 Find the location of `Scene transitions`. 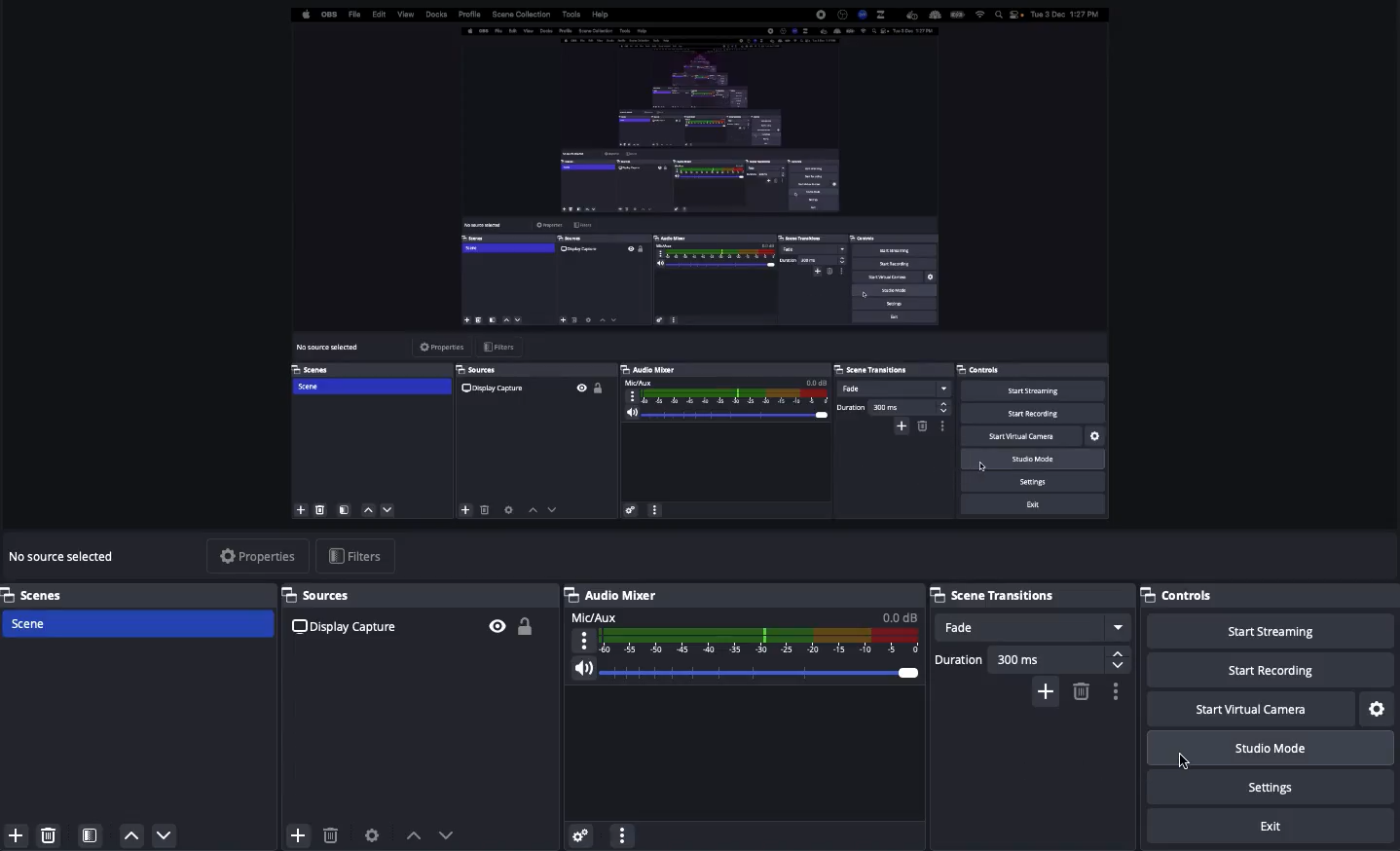

Scene transitions is located at coordinates (1028, 595).